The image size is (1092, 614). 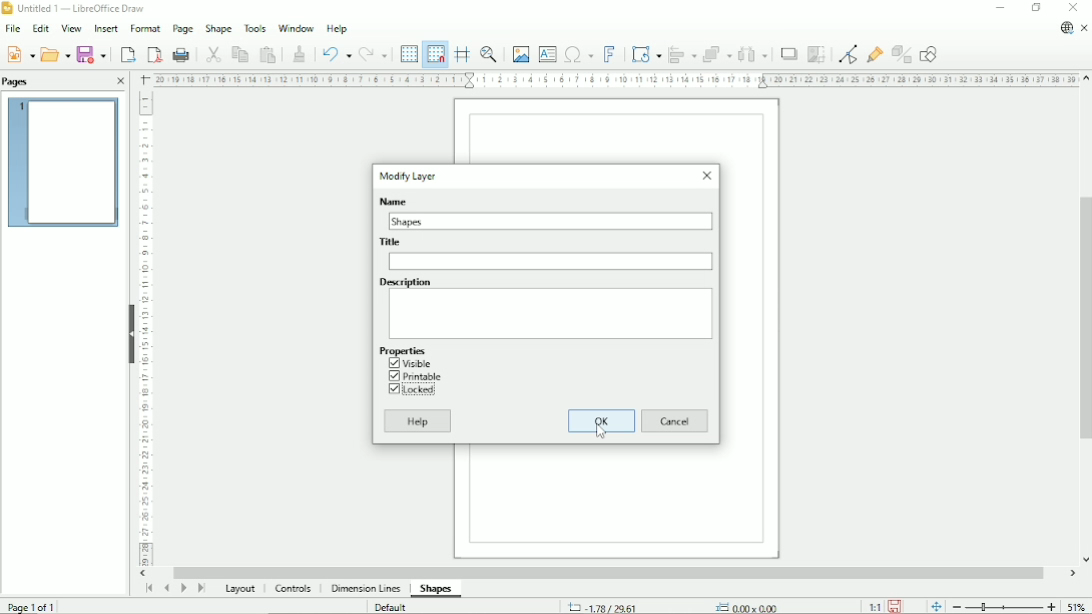 I want to click on toggle point edit mode, so click(x=847, y=54).